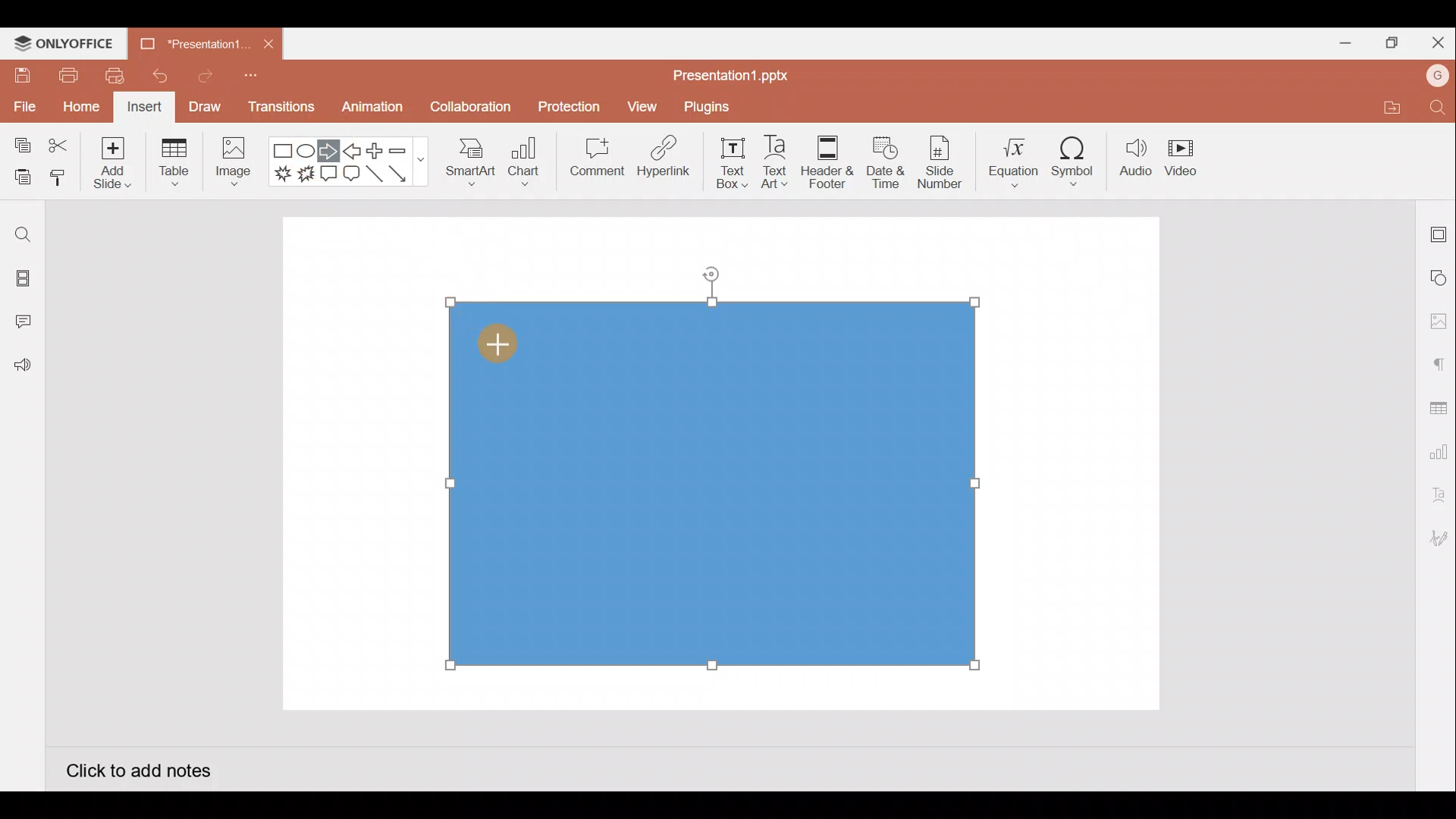 The height and width of the screenshot is (819, 1456). Describe the element at coordinates (20, 146) in the screenshot. I see `Copy` at that location.